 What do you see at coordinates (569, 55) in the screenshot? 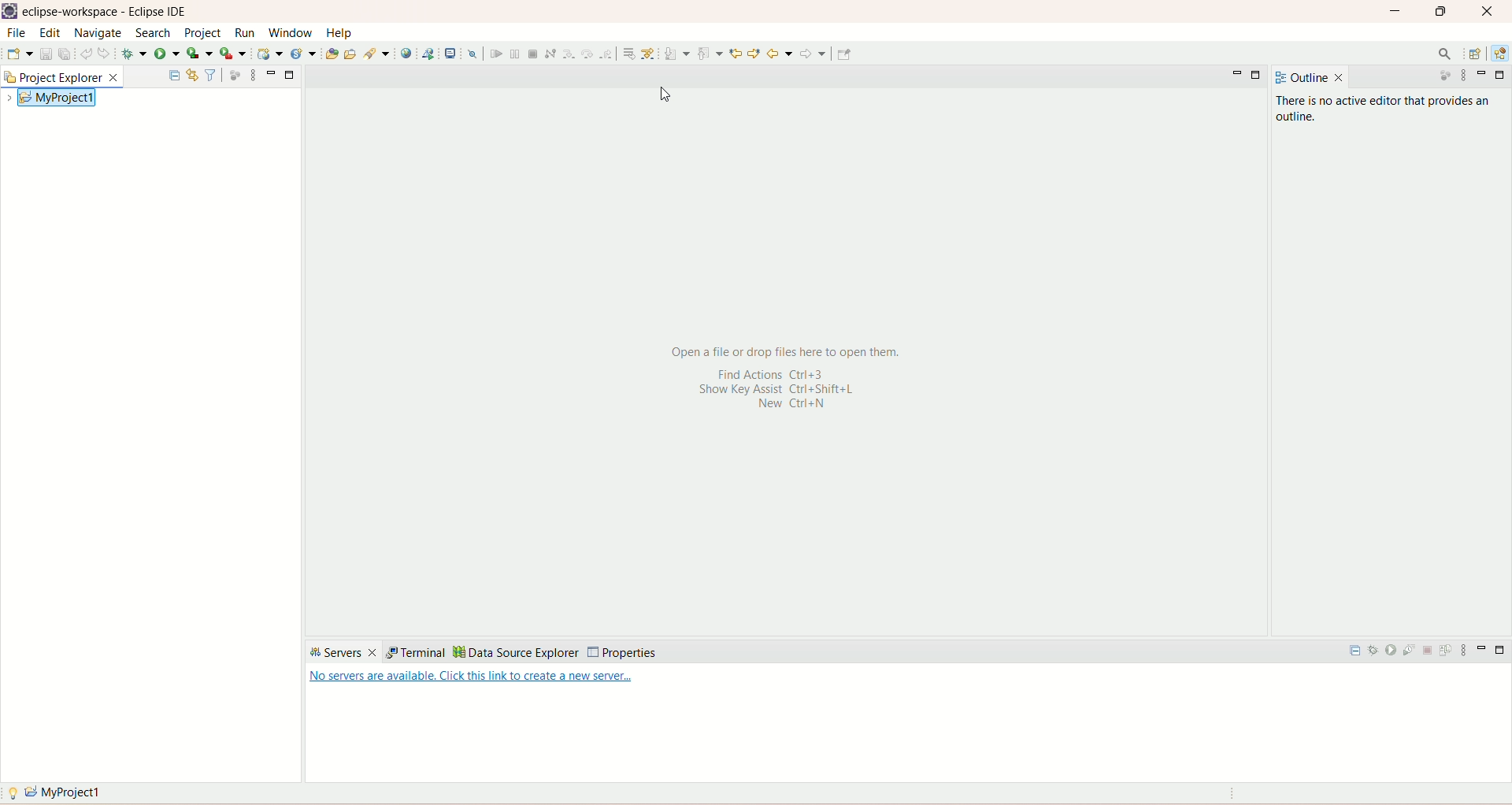
I see `step into` at bounding box center [569, 55].